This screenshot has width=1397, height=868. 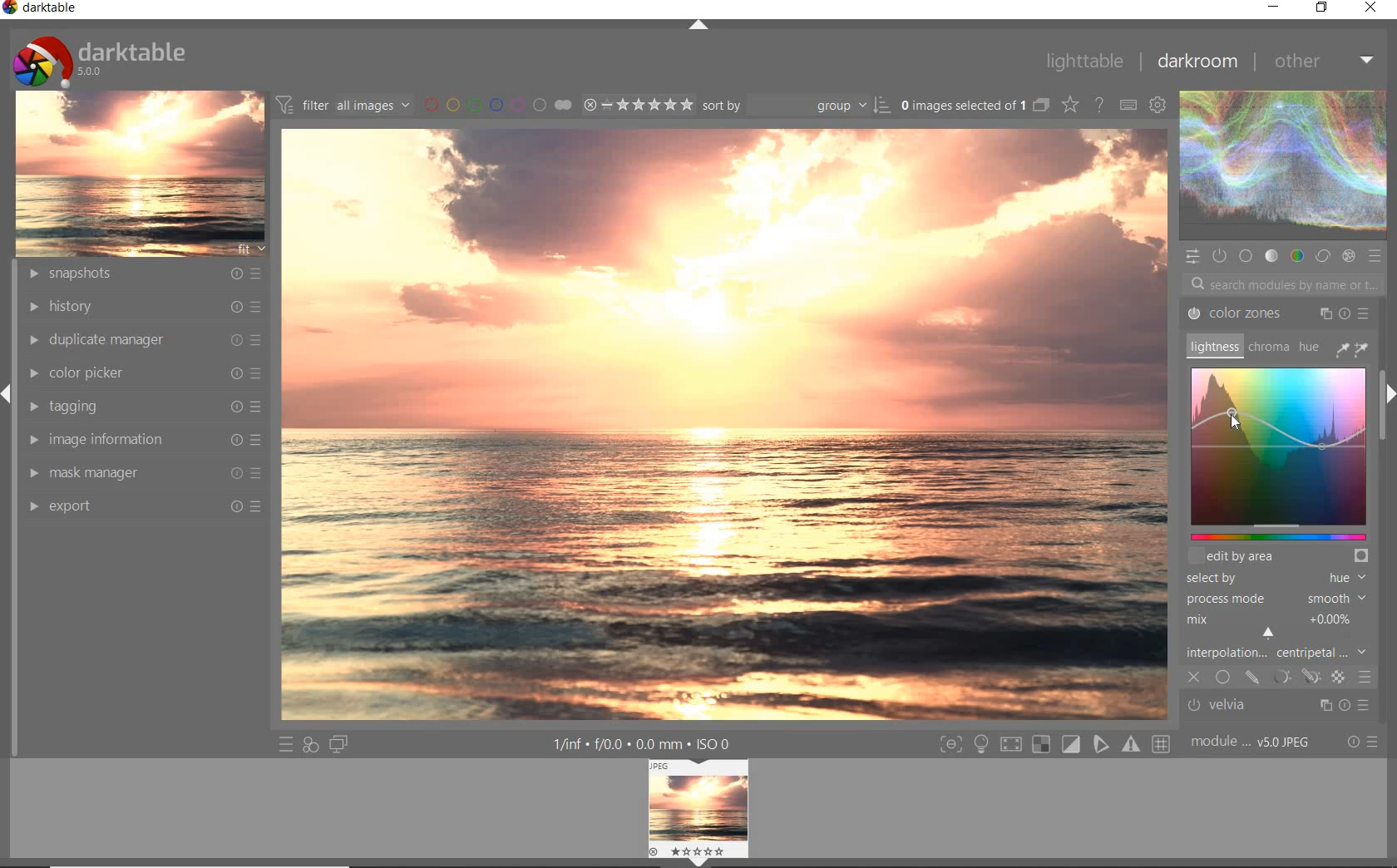 I want to click on darktable, so click(x=42, y=9).